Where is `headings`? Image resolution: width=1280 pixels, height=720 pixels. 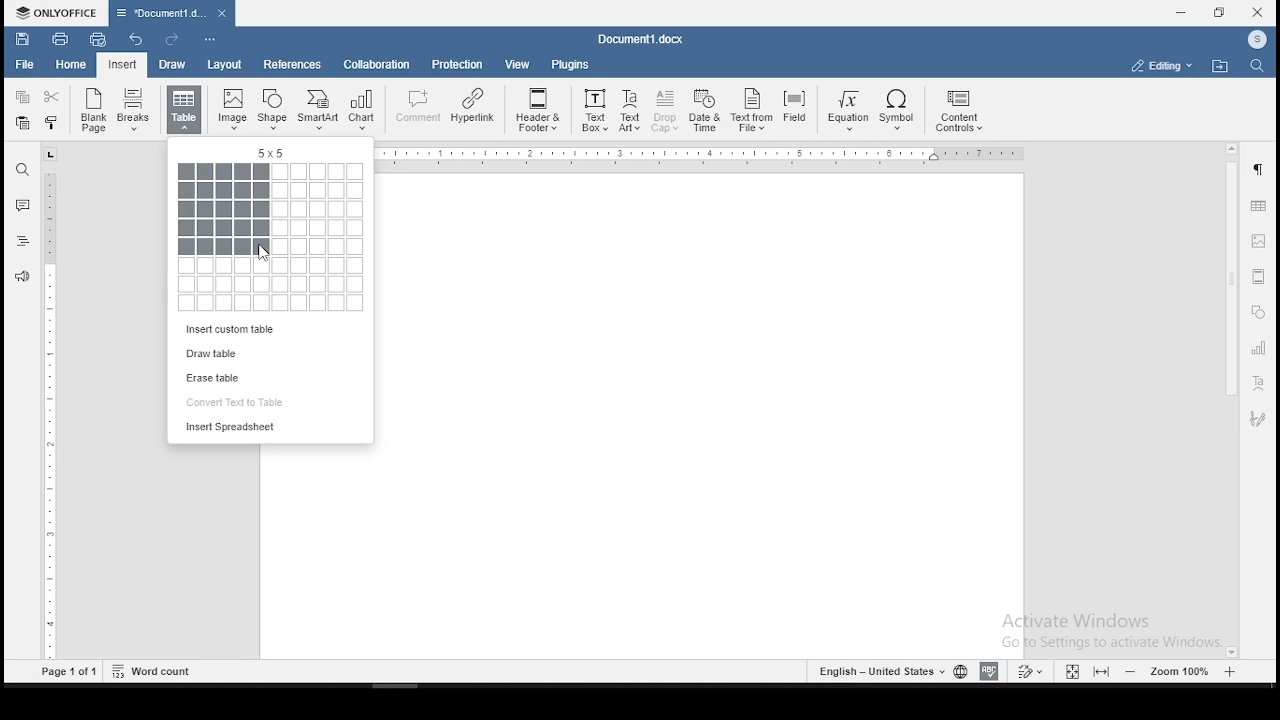
headings is located at coordinates (23, 241).